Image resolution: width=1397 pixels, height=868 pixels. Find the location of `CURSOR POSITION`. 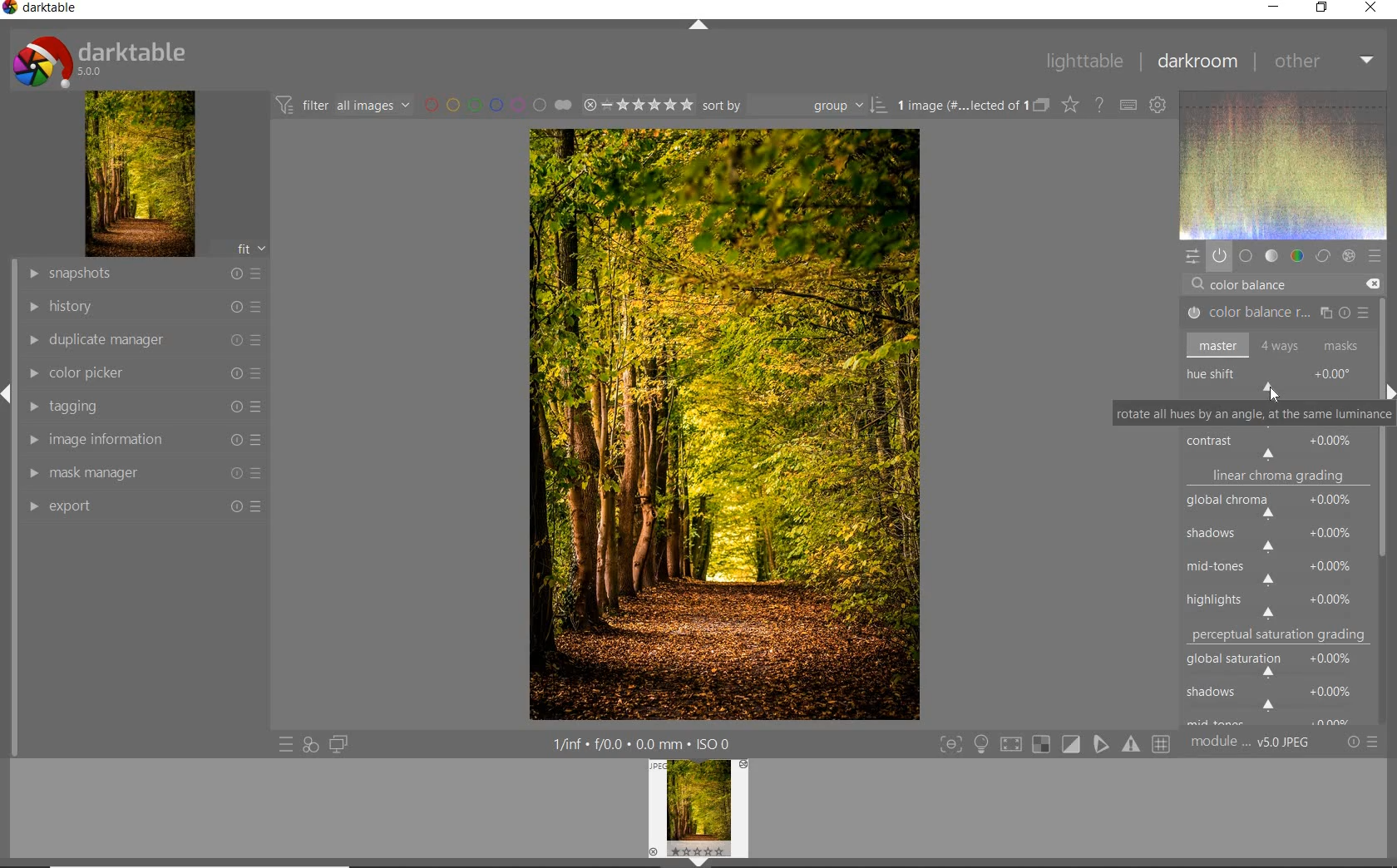

CURSOR POSITION is located at coordinates (1272, 394).